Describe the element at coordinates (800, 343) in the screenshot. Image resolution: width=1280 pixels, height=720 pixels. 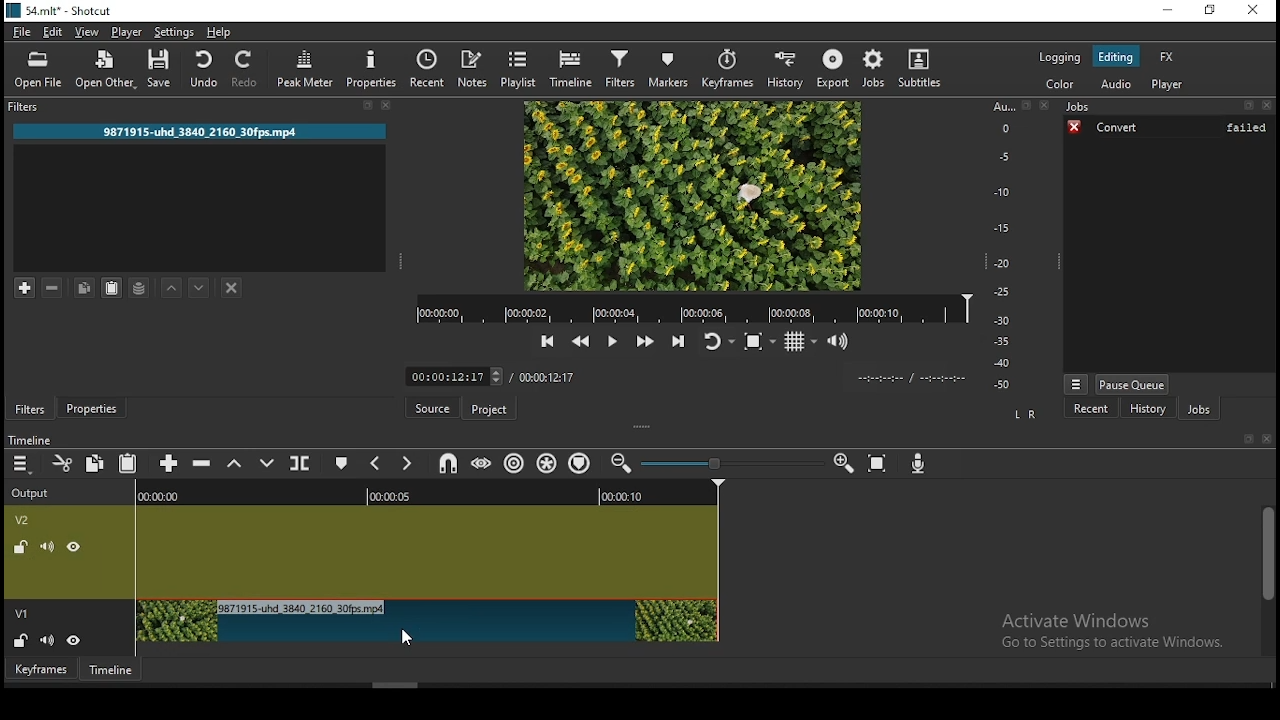
I see `toggle grid display on the player` at that location.